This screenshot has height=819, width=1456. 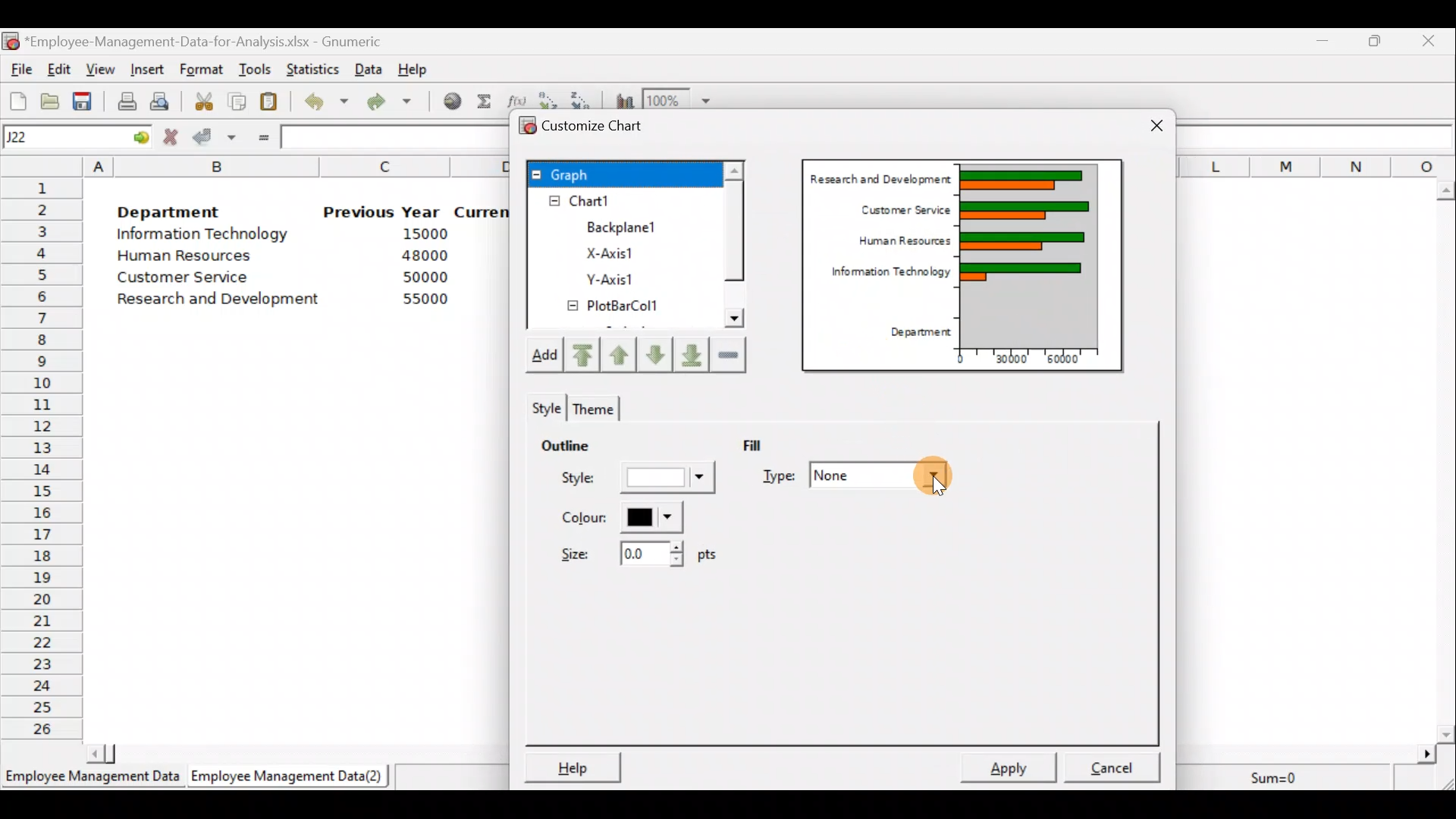 I want to click on Style, so click(x=544, y=406).